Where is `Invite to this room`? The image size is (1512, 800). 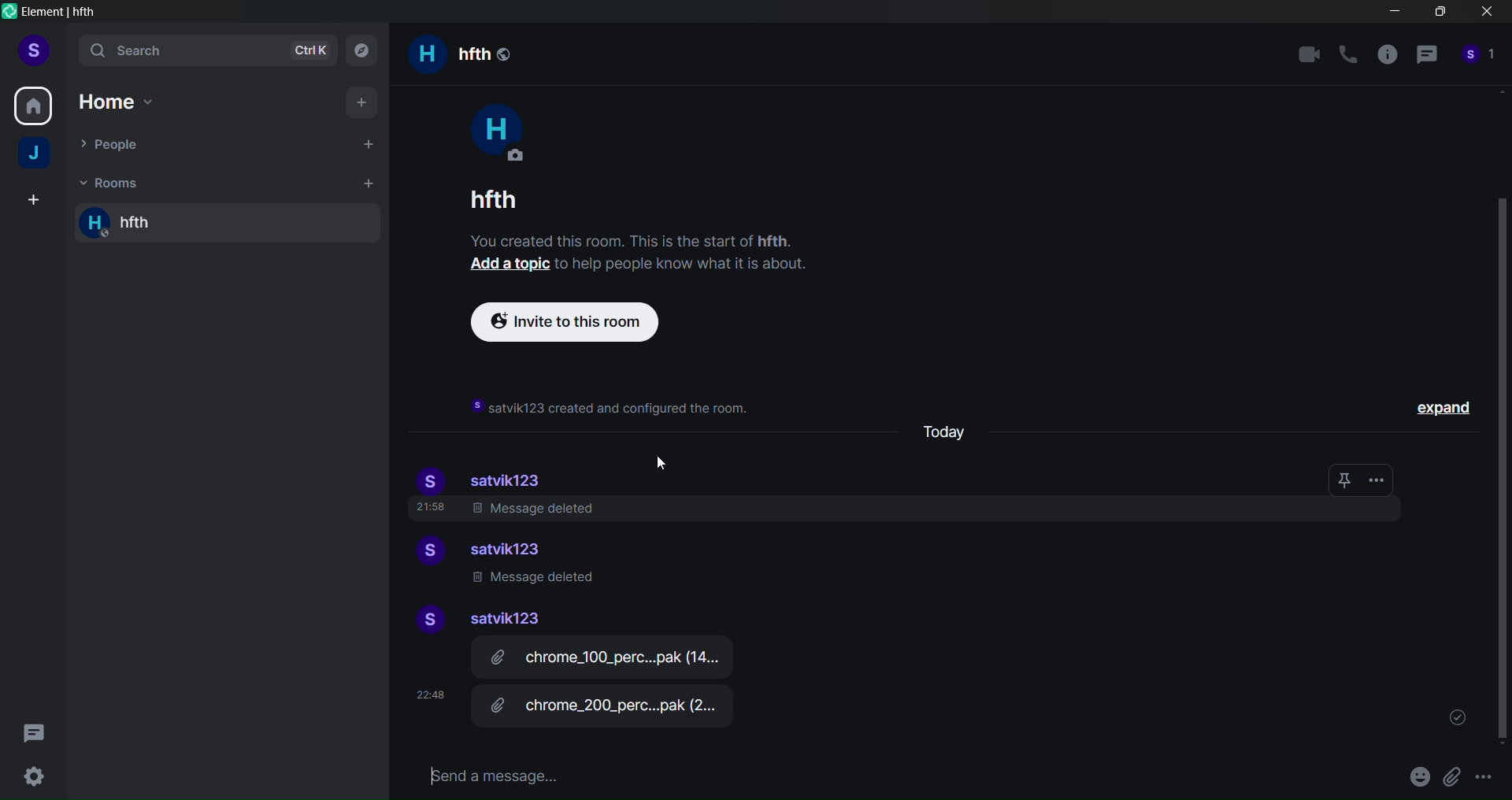
Invite to this room is located at coordinates (563, 323).